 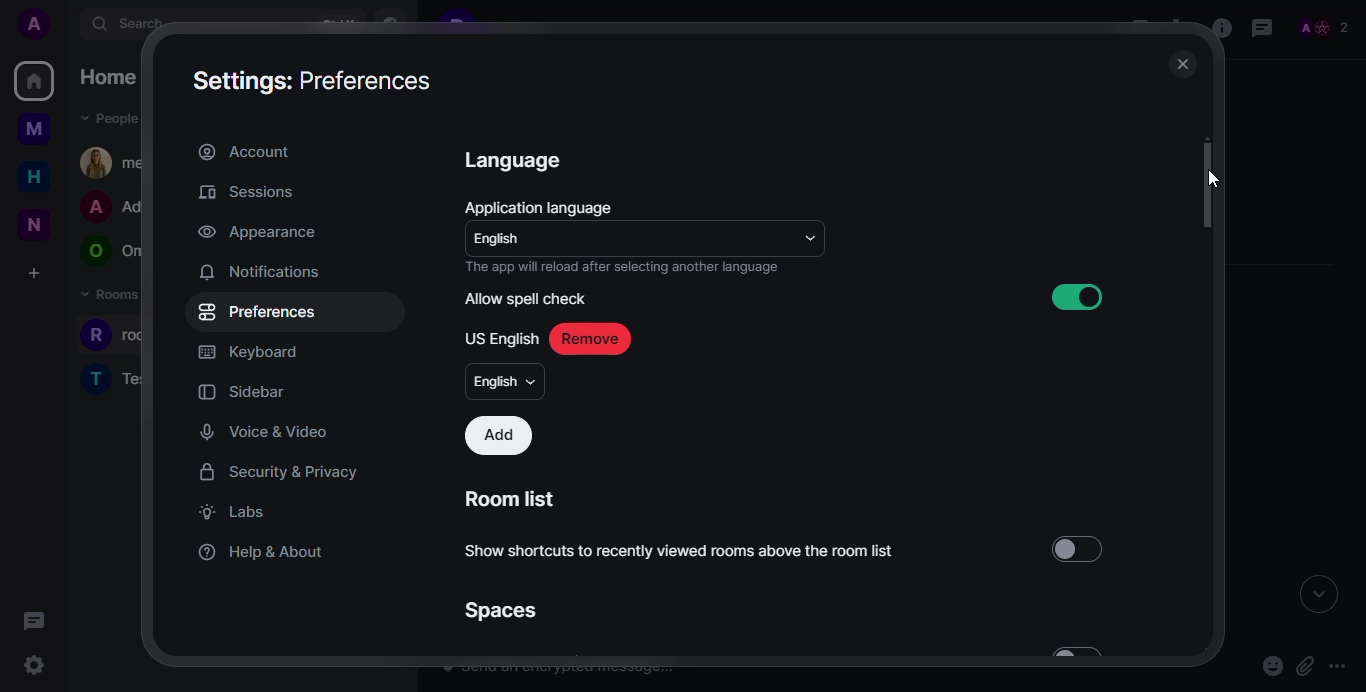 What do you see at coordinates (33, 177) in the screenshot?
I see `home` at bounding box center [33, 177].